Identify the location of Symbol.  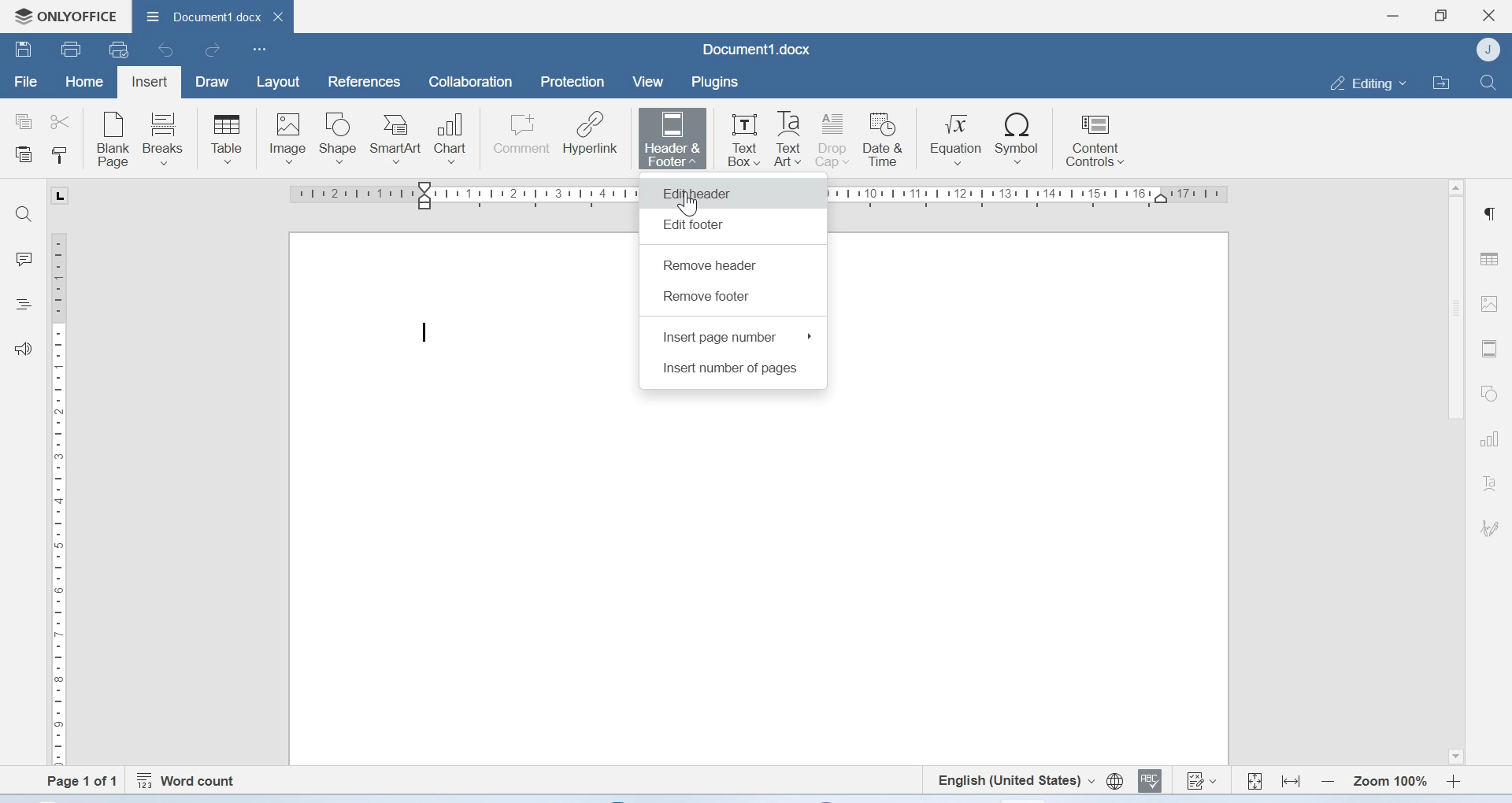
(1019, 139).